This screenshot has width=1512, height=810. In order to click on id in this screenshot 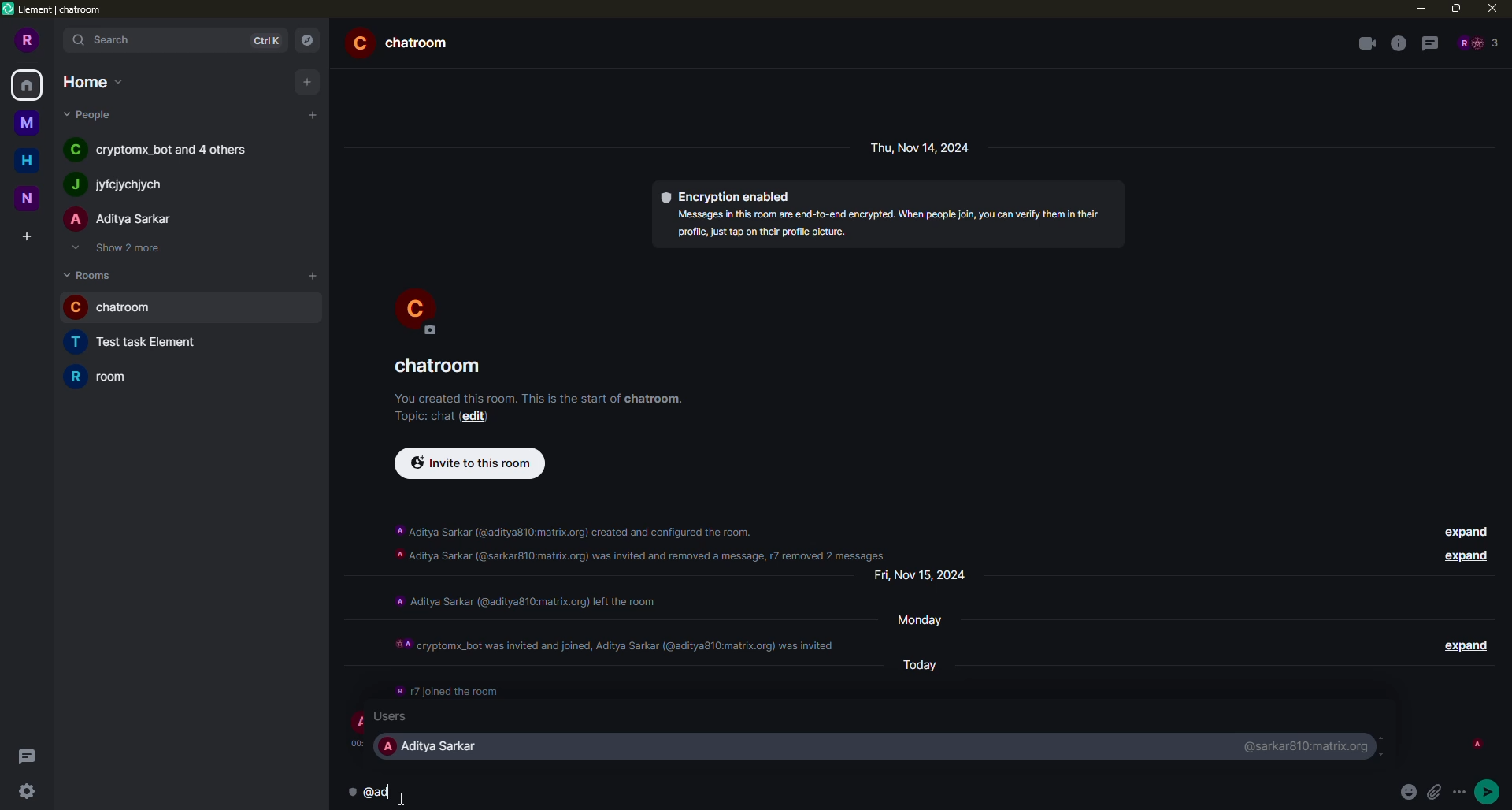, I will do `click(1310, 745)`.